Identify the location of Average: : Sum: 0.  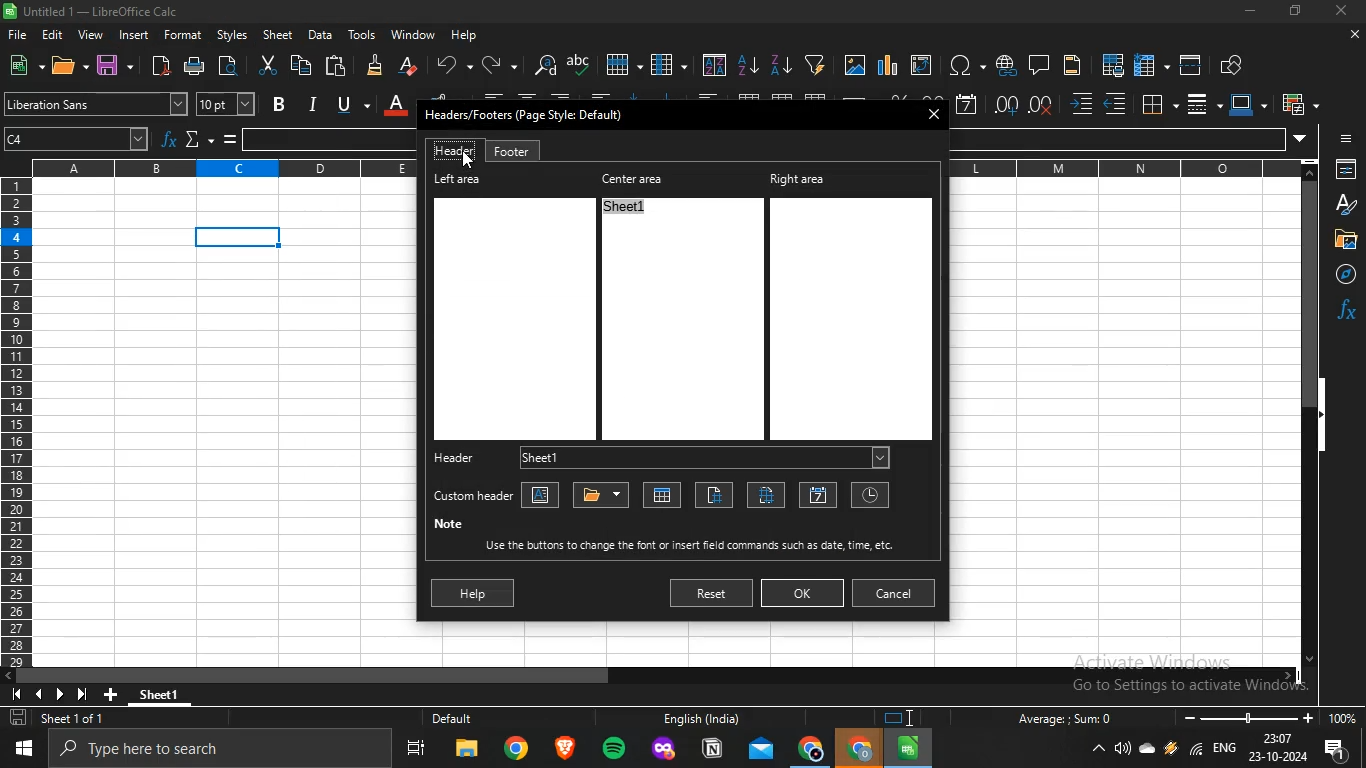
(1057, 718).